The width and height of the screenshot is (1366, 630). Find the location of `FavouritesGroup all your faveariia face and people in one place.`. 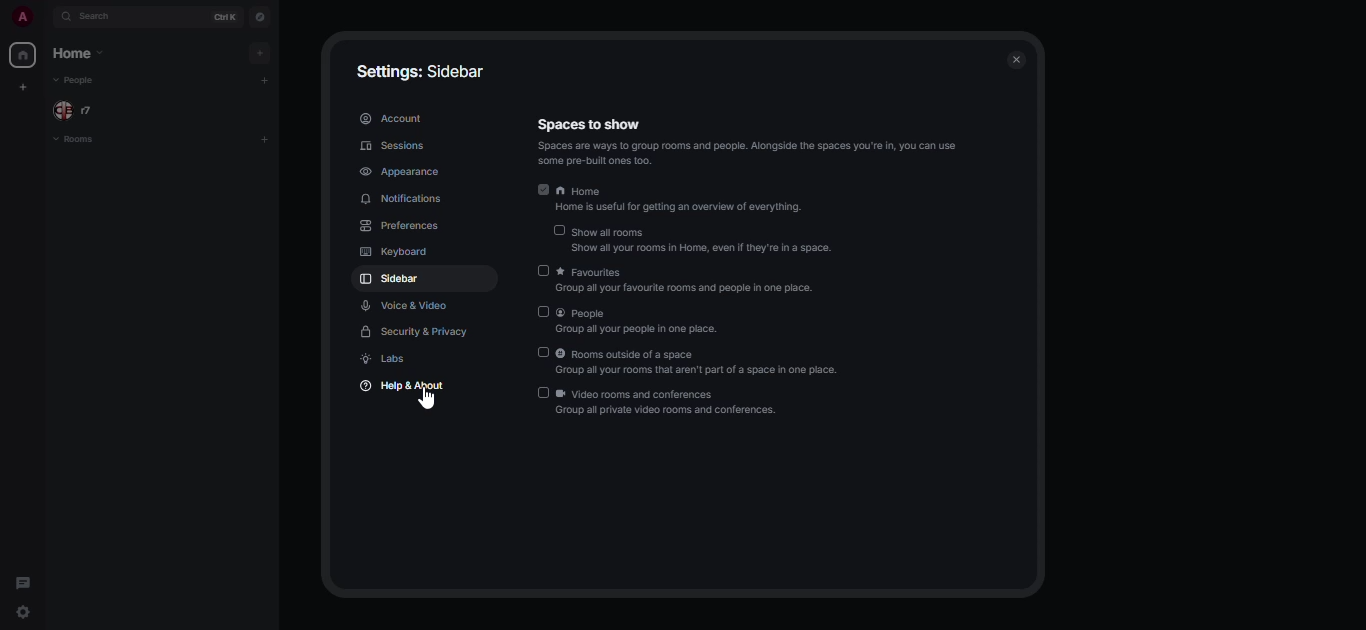

FavouritesGroup all your faveariia face and people in one place. is located at coordinates (676, 278).